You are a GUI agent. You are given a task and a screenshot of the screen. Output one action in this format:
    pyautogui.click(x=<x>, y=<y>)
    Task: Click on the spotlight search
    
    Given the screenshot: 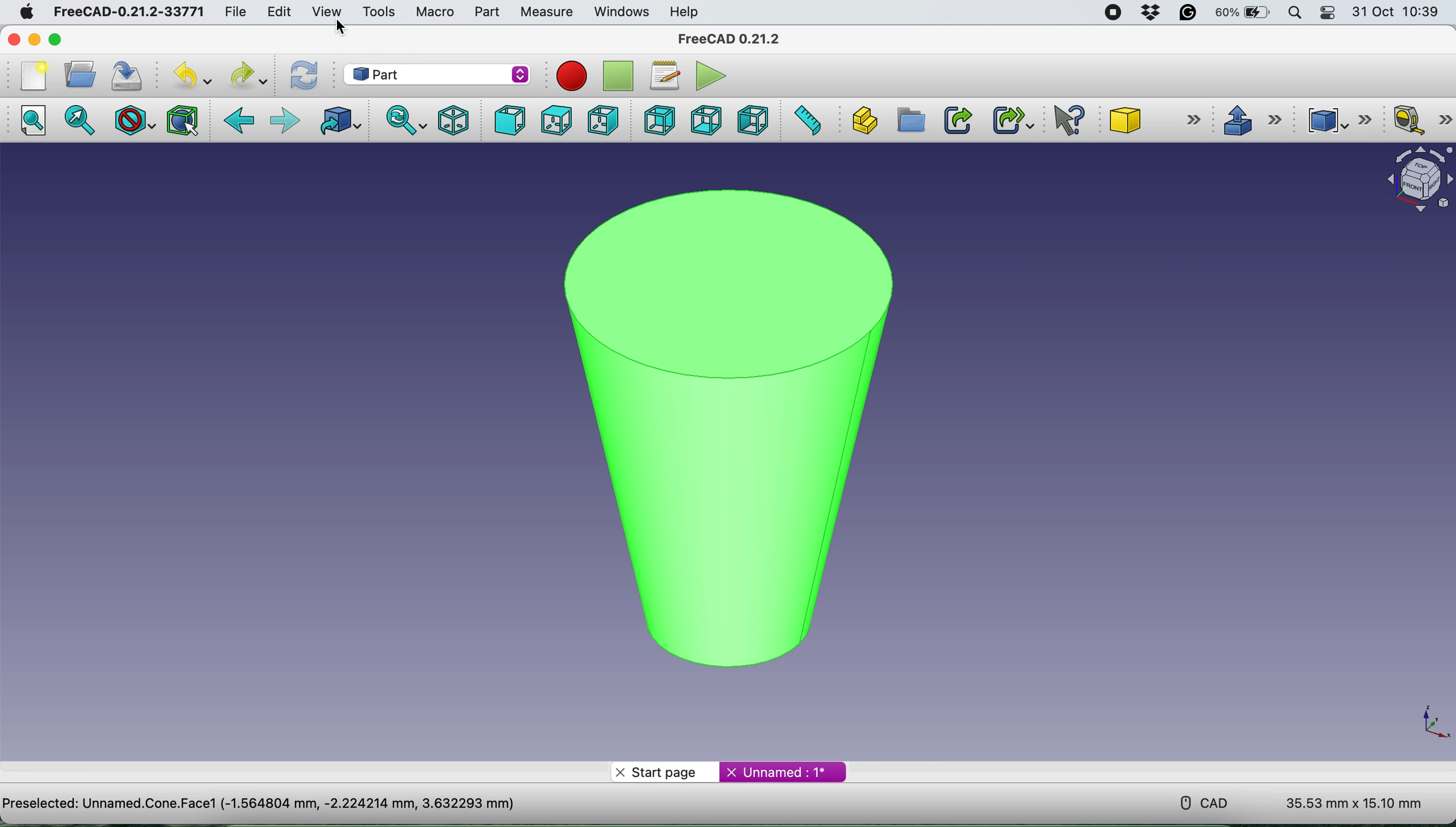 What is the action you would take?
    pyautogui.click(x=1295, y=12)
    